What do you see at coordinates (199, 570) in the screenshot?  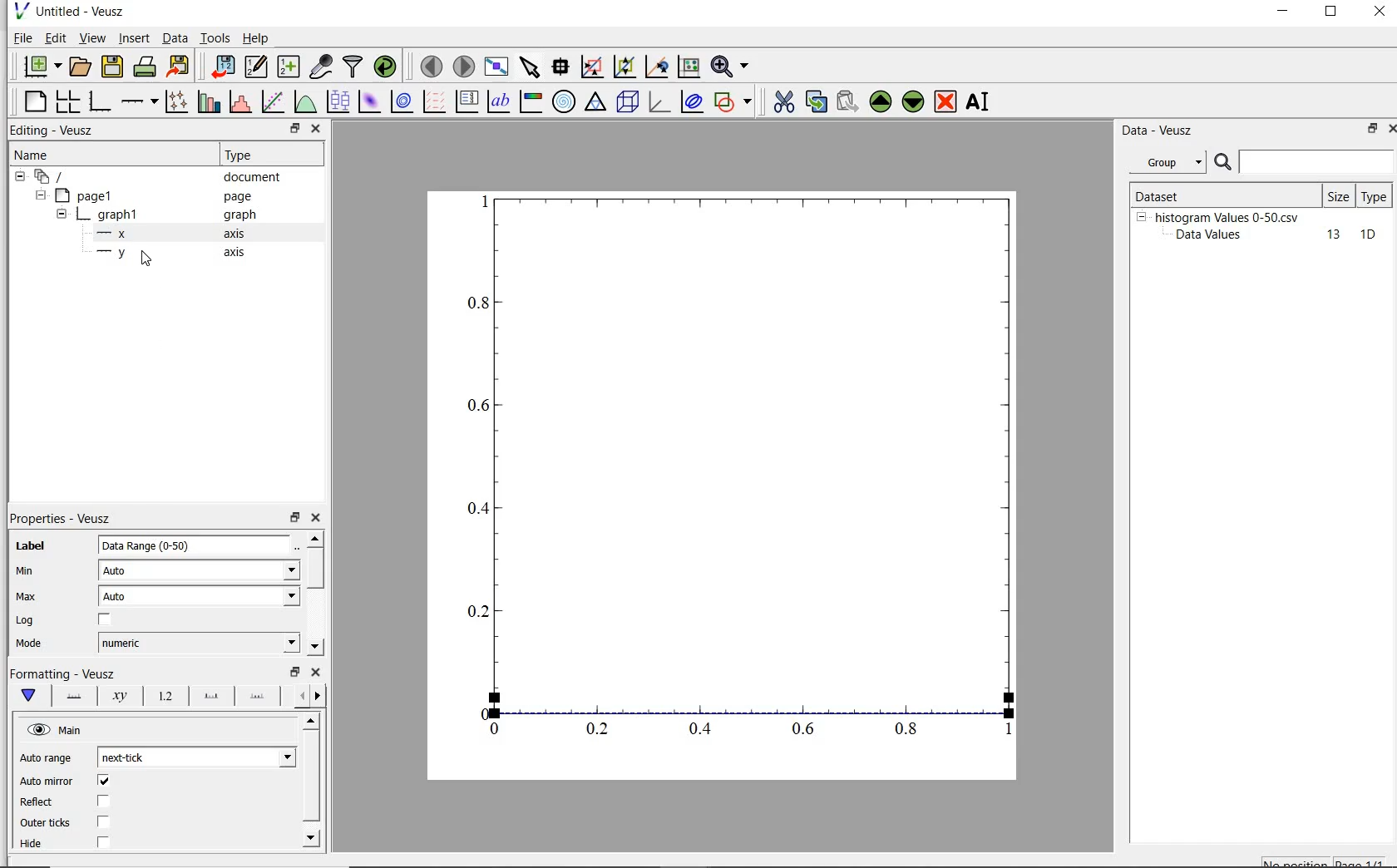 I see `Auto` at bounding box center [199, 570].